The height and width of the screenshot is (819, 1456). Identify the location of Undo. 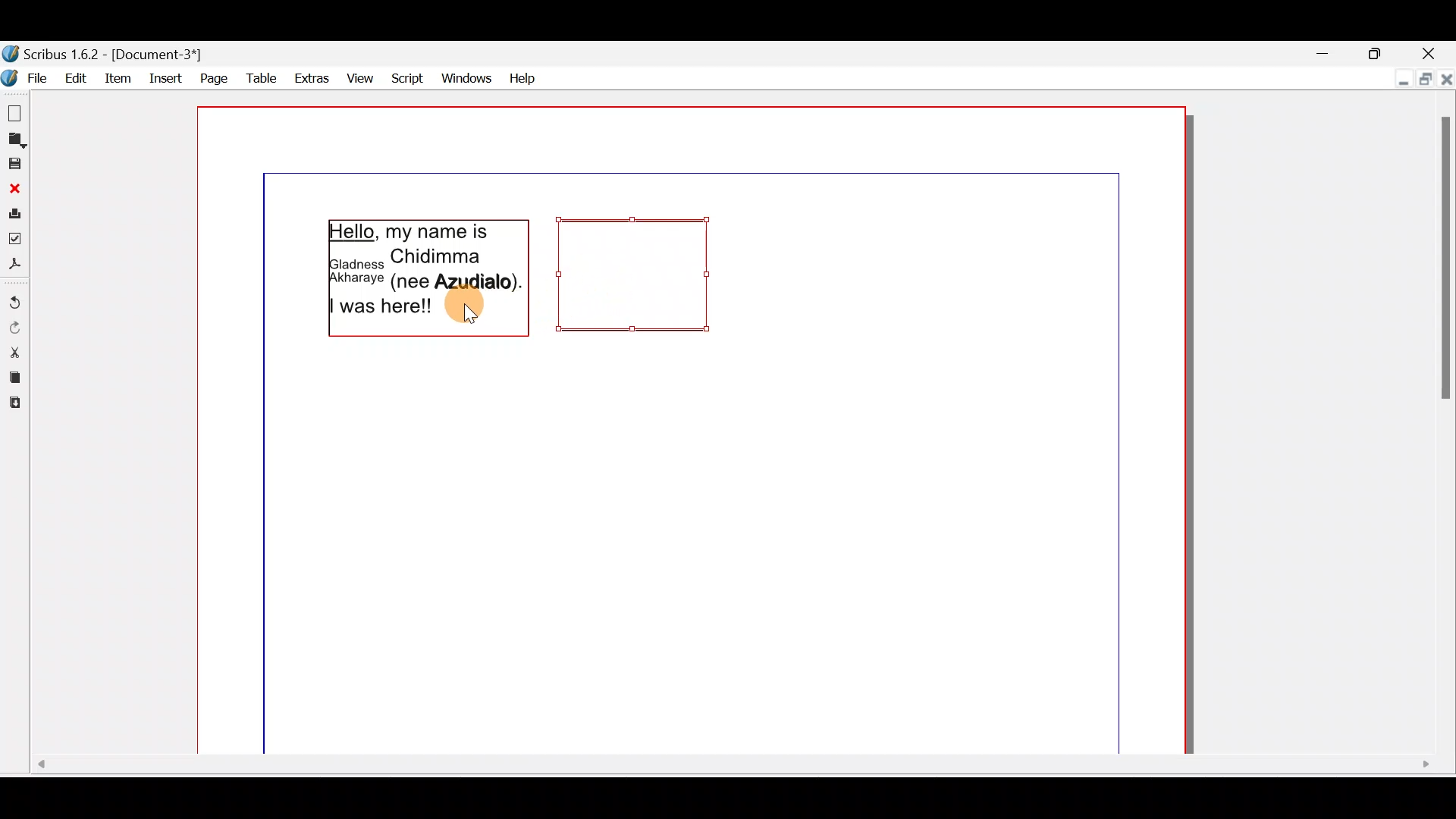
(15, 297).